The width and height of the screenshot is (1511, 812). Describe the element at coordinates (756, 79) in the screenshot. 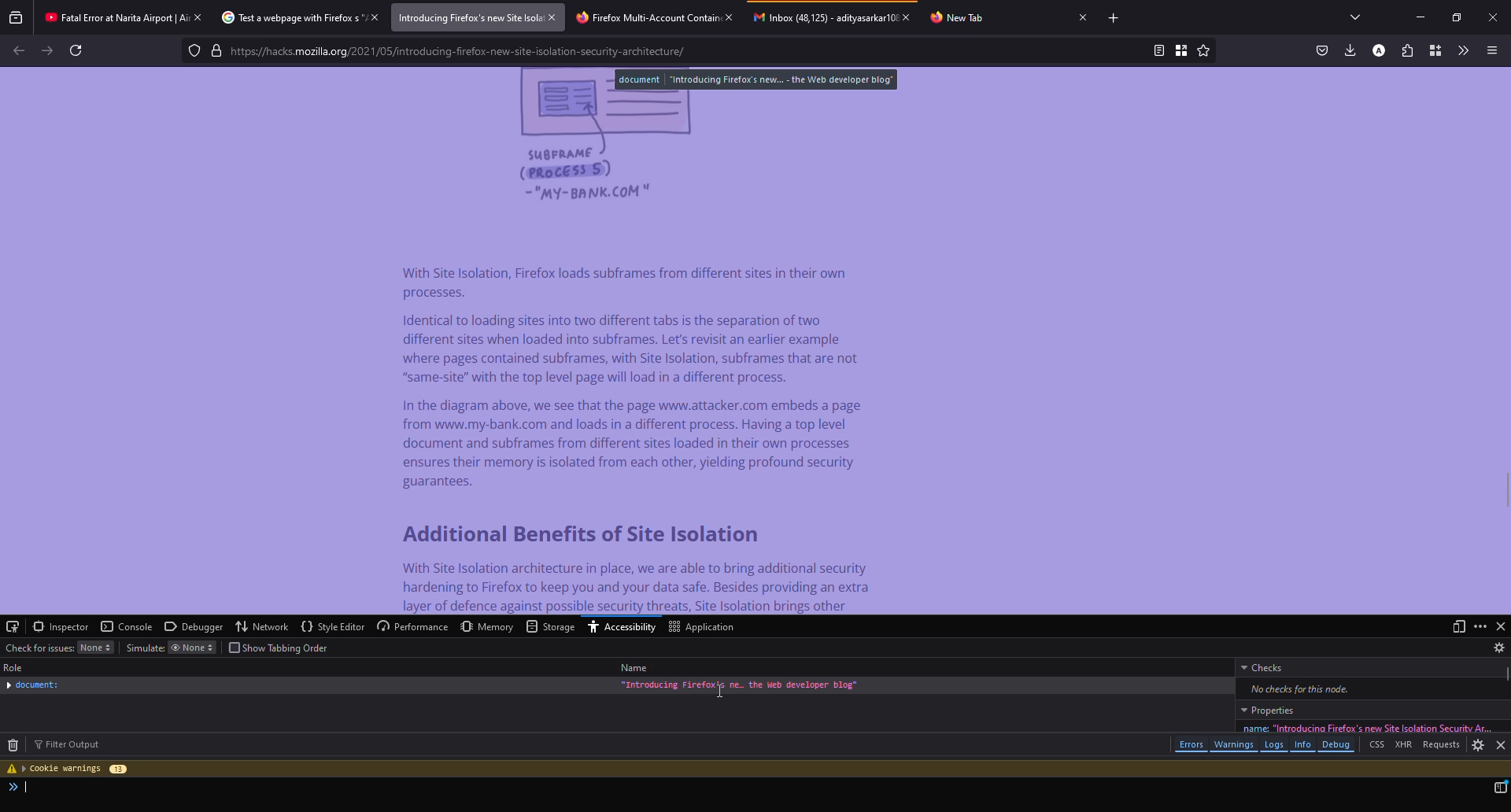

I see `document` at that location.